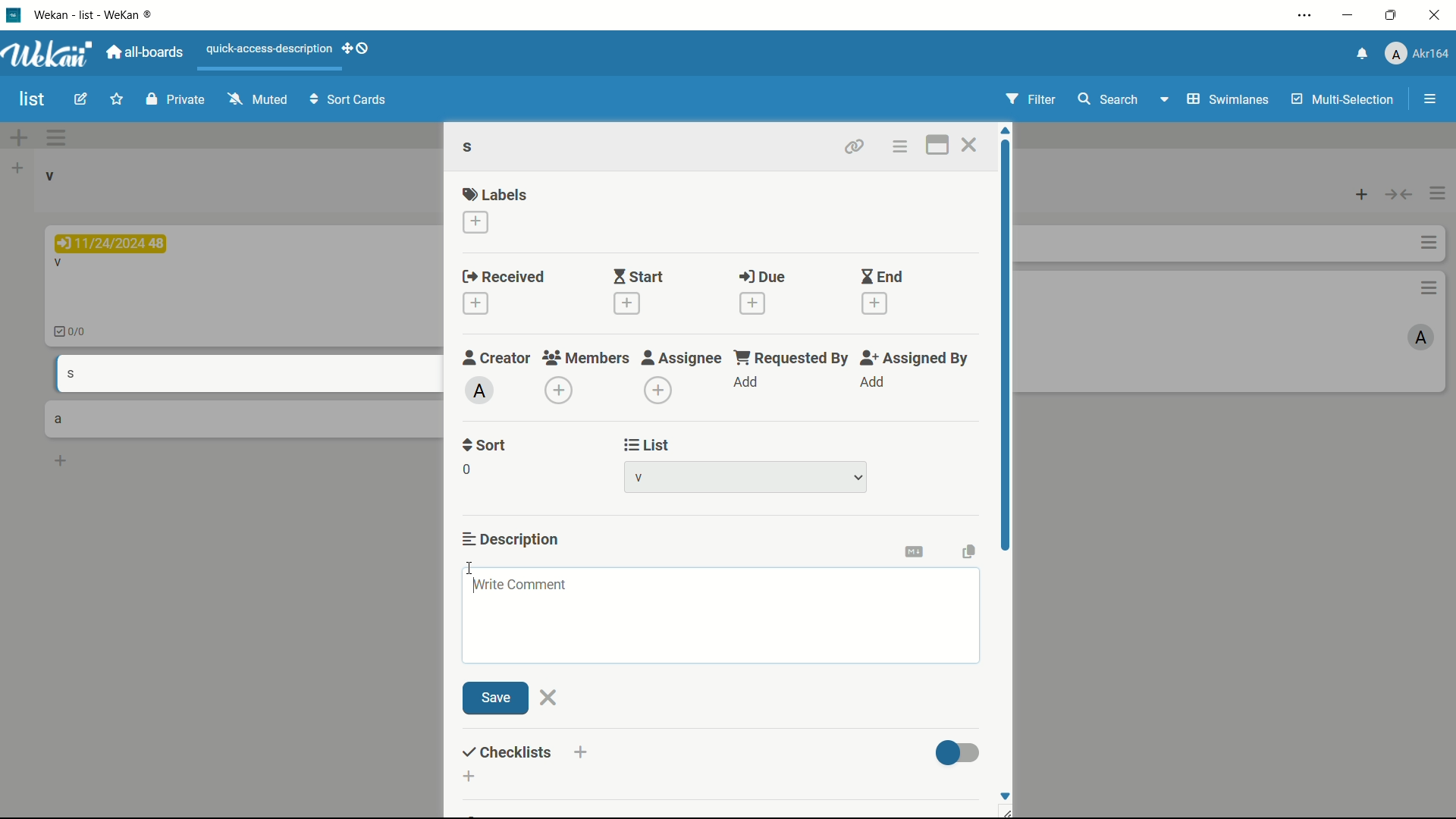 The width and height of the screenshot is (1456, 819). What do you see at coordinates (876, 304) in the screenshot?
I see `add end date` at bounding box center [876, 304].